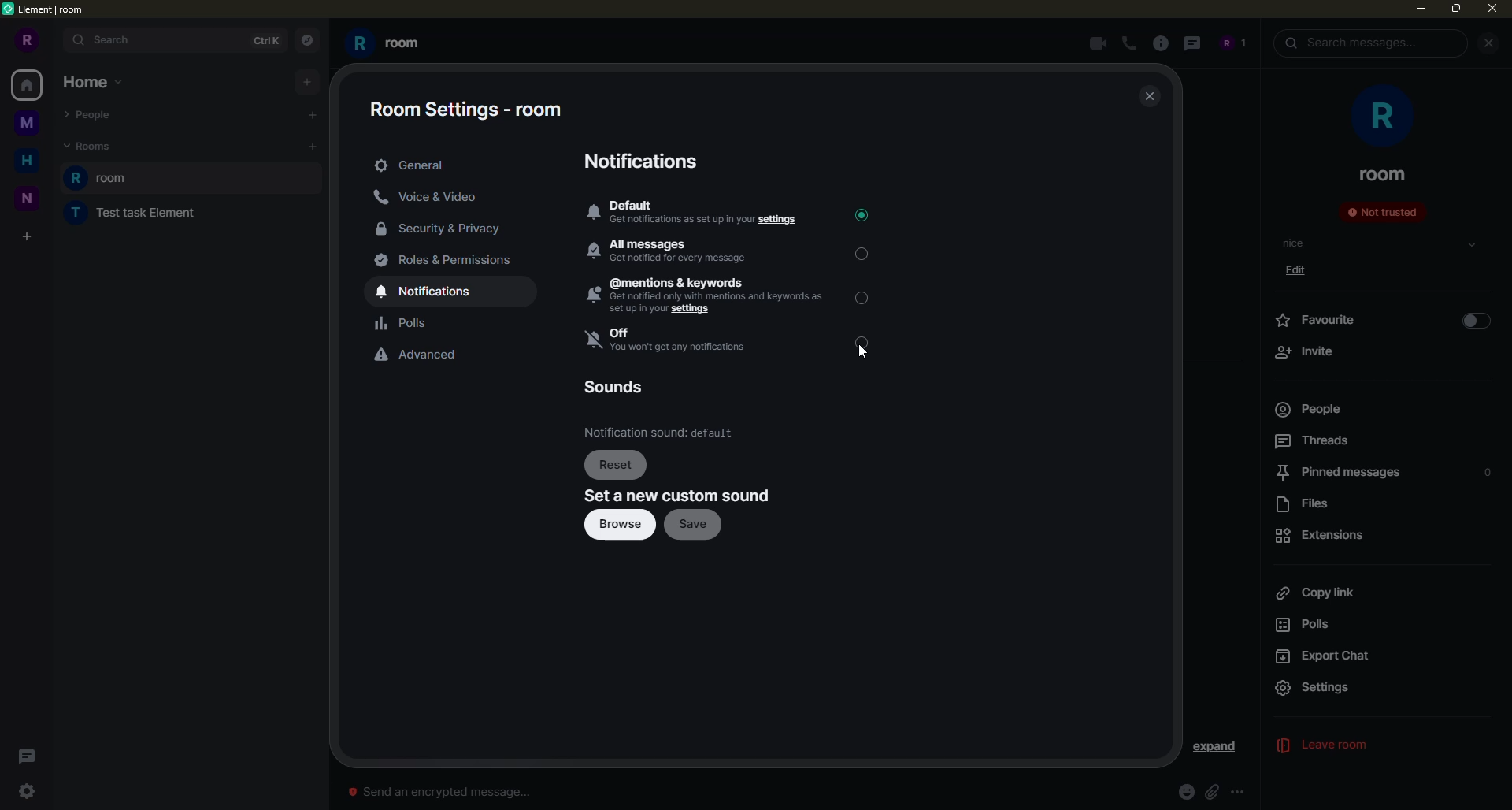 This screenshot has width=1512, height=810. I want to click on off, so click(669, 341).